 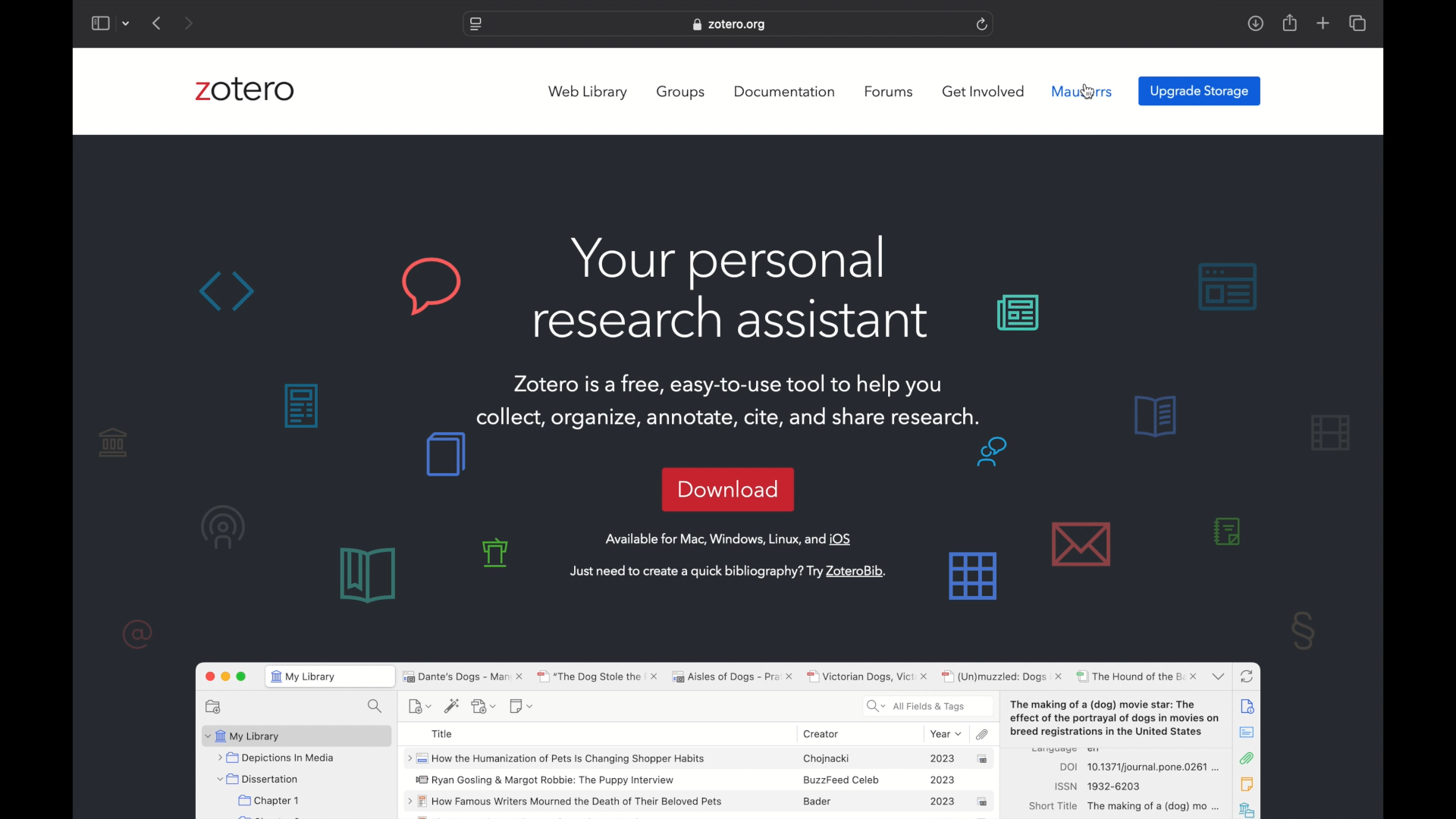 I want to click on website settings, so click(x=476, y=25).